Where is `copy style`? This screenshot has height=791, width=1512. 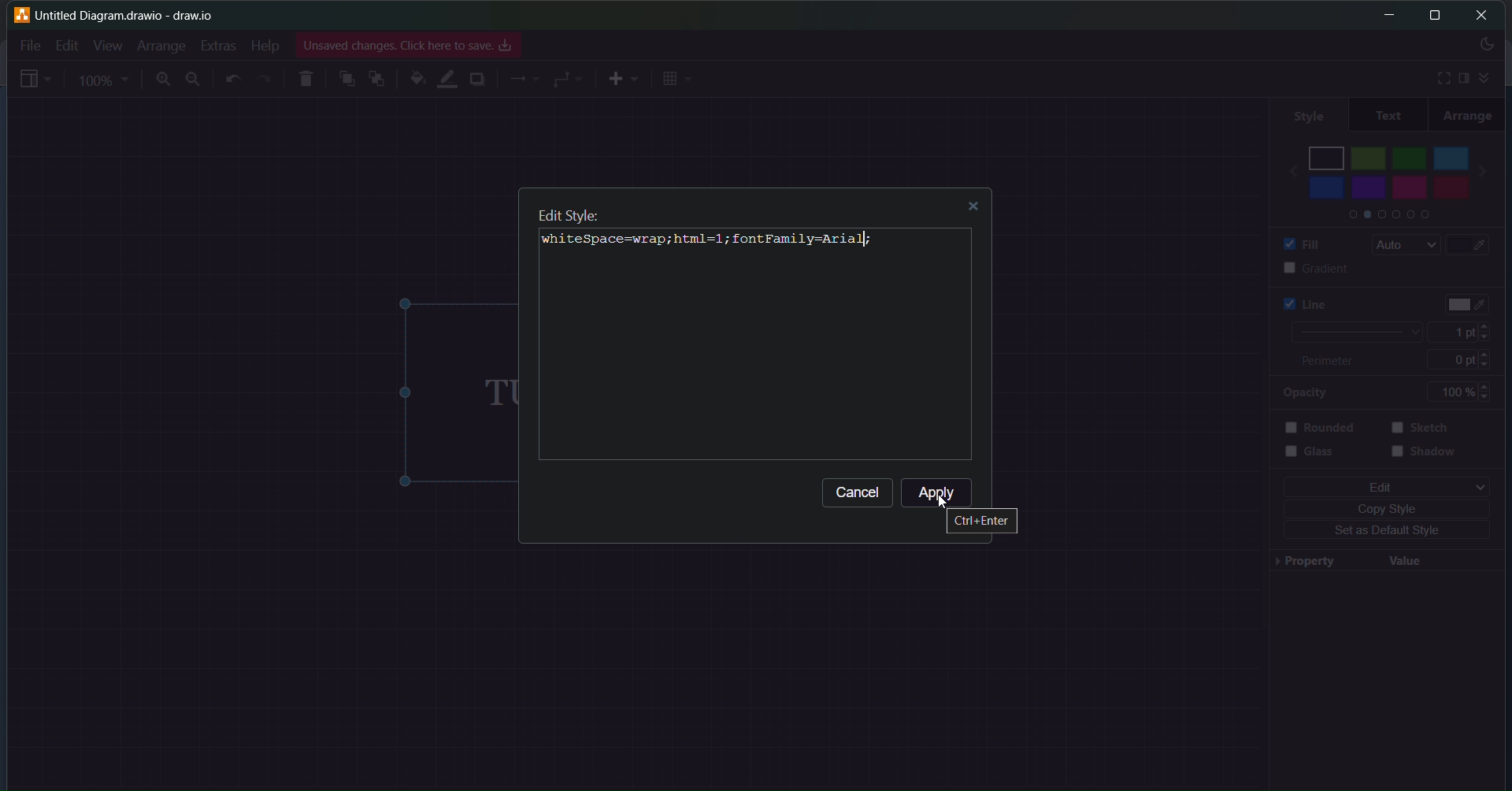 copy style is located at coordinates (1390, 508).